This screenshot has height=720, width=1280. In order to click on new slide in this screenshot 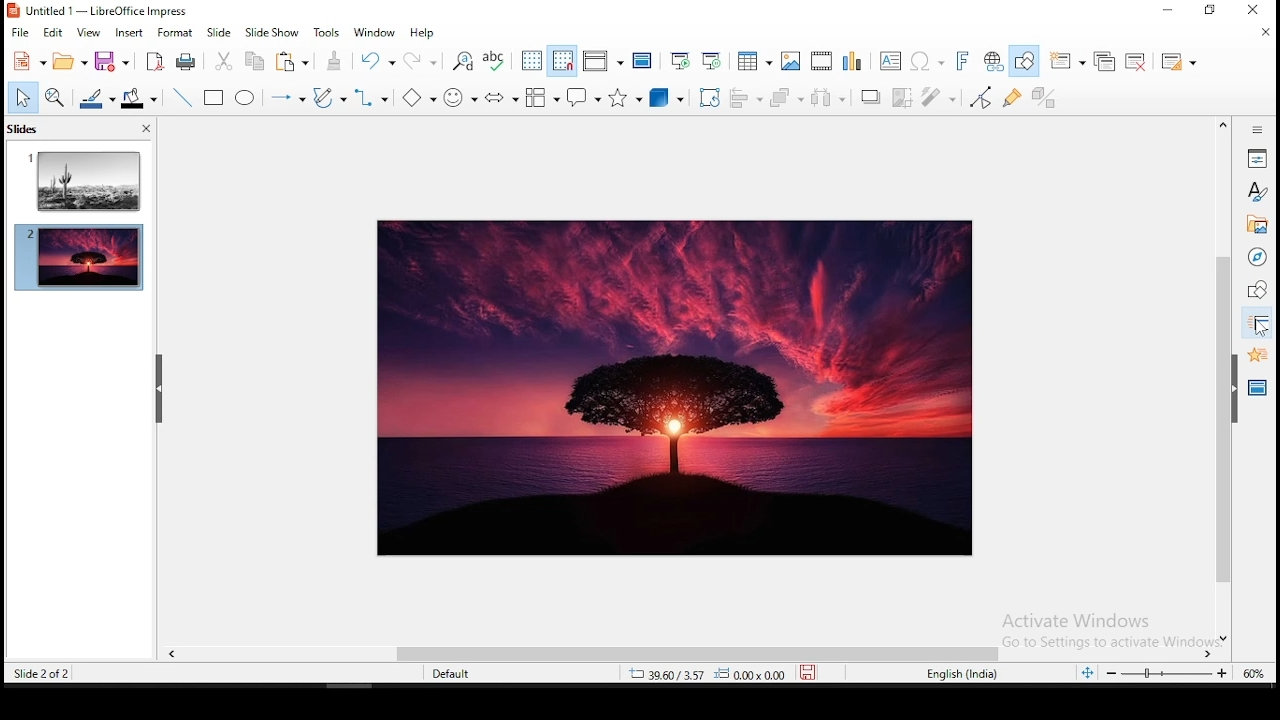, I will do `click(1070, 59)`.